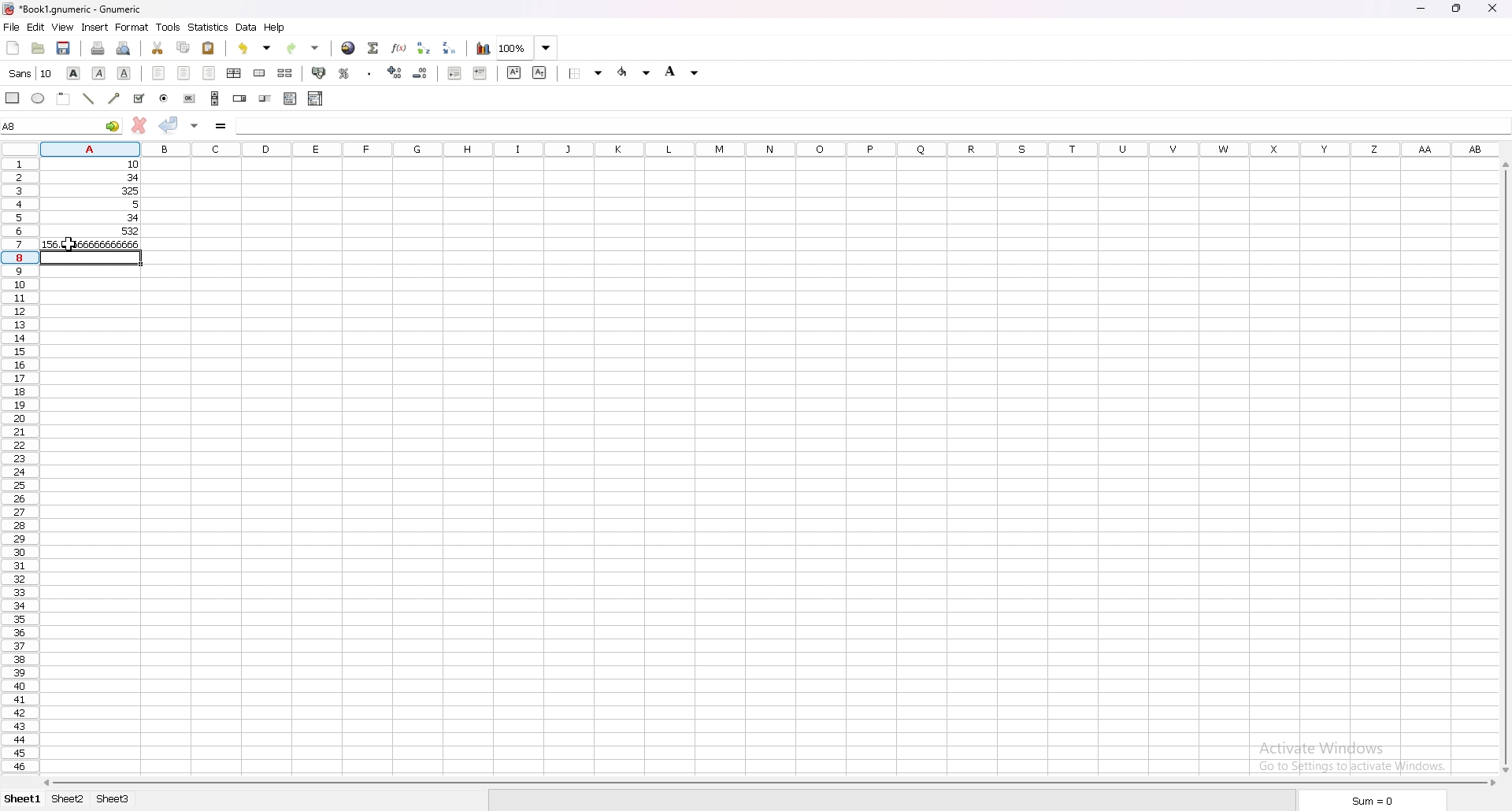 Image resolution: width=1512 pixels, height=811 pixels. I want to click on decrease decimals, so click(422, 72).